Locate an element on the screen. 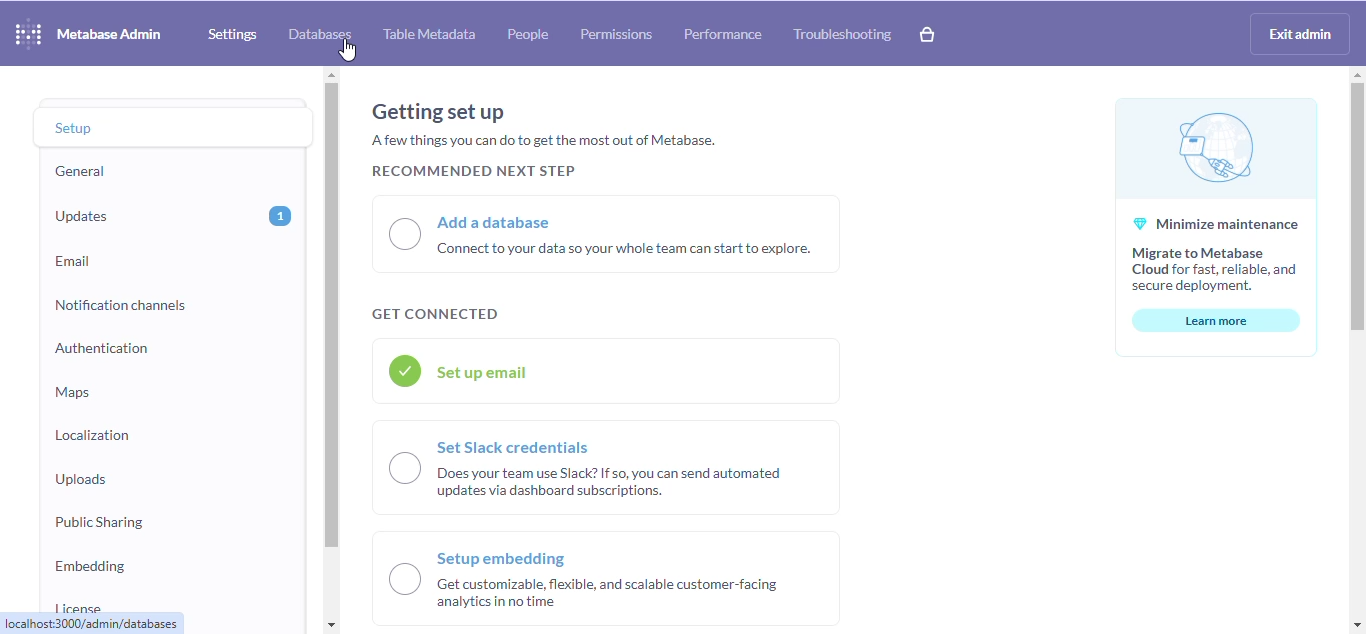  localization is located at coordinates (92, 436).